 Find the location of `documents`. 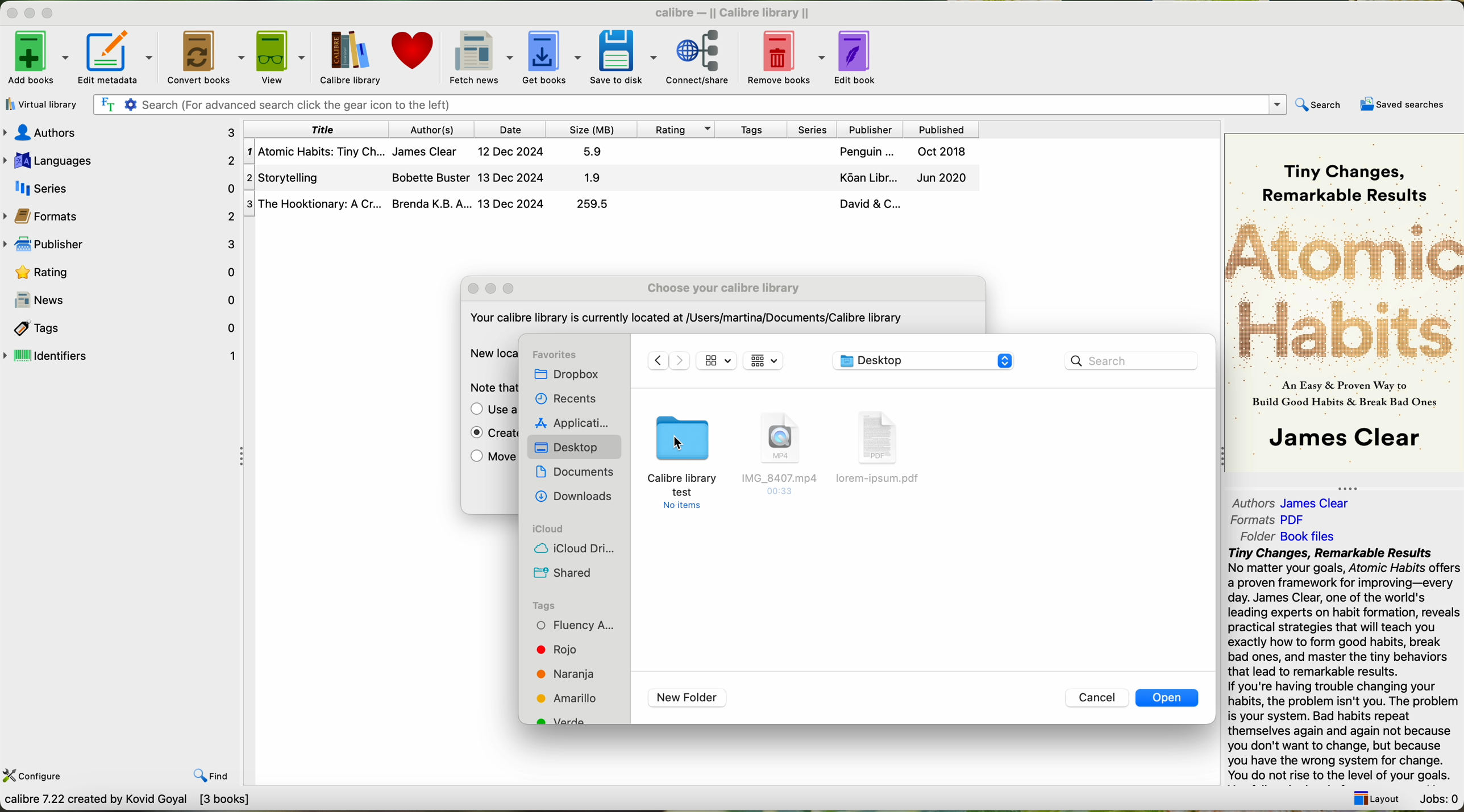

documents is located at coordinates (578, 473).